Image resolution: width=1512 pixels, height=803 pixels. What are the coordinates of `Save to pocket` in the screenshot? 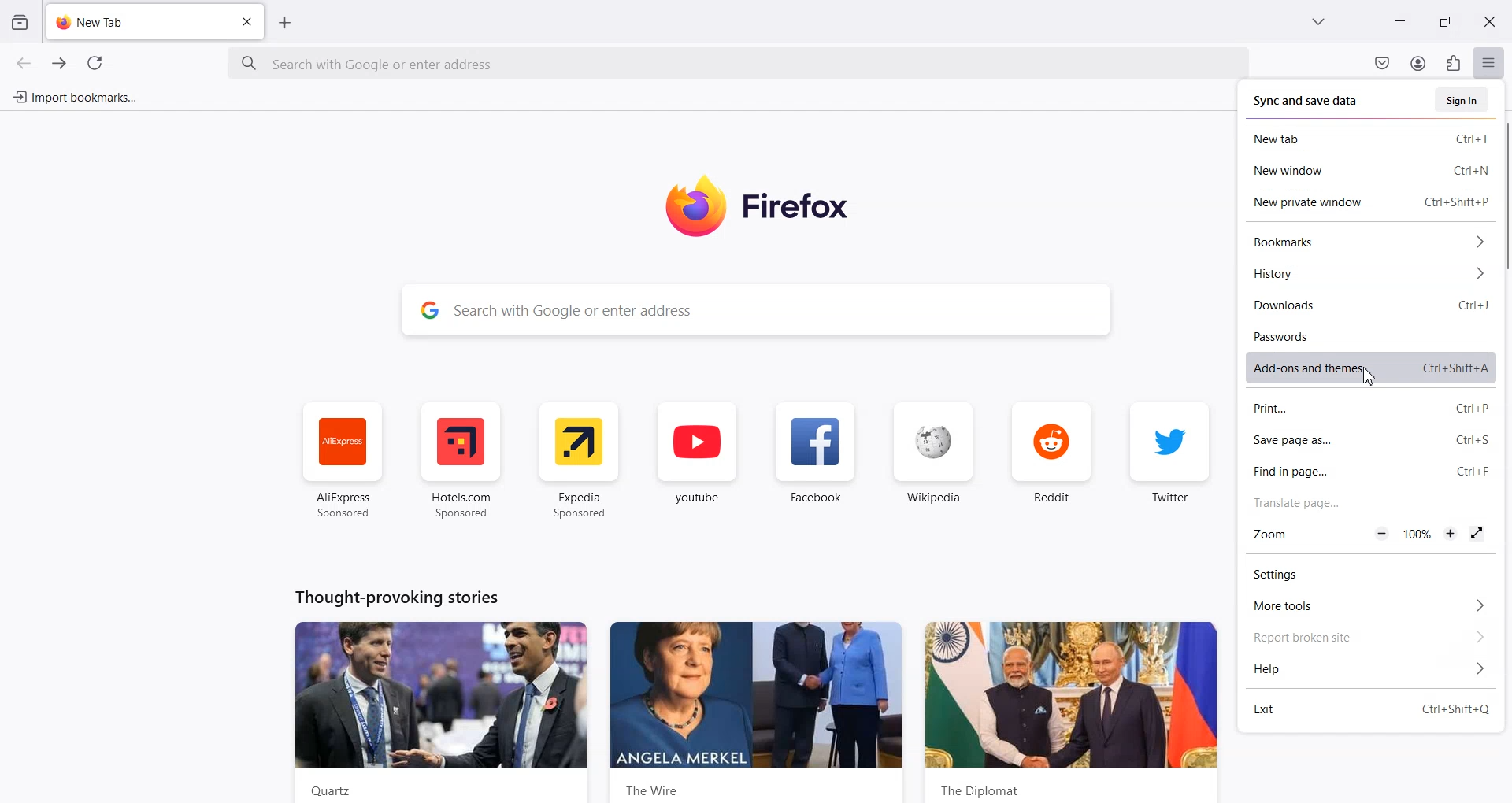 It's located at (1383, 63).